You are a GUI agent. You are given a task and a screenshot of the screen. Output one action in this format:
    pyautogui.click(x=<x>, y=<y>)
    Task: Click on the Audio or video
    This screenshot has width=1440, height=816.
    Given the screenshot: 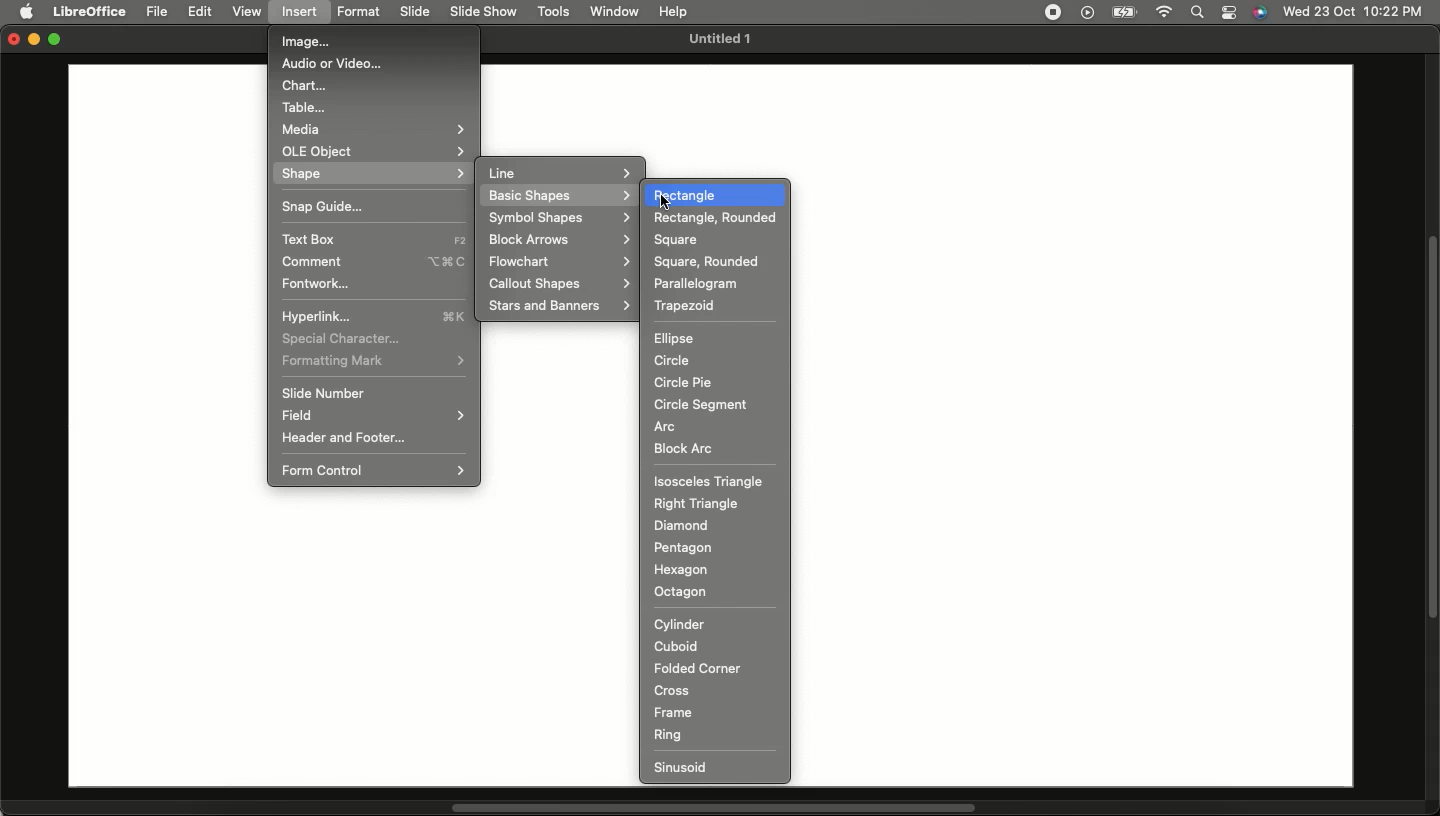 What is the action you would take?
    pyautogui.click(x=335, y=65)
    